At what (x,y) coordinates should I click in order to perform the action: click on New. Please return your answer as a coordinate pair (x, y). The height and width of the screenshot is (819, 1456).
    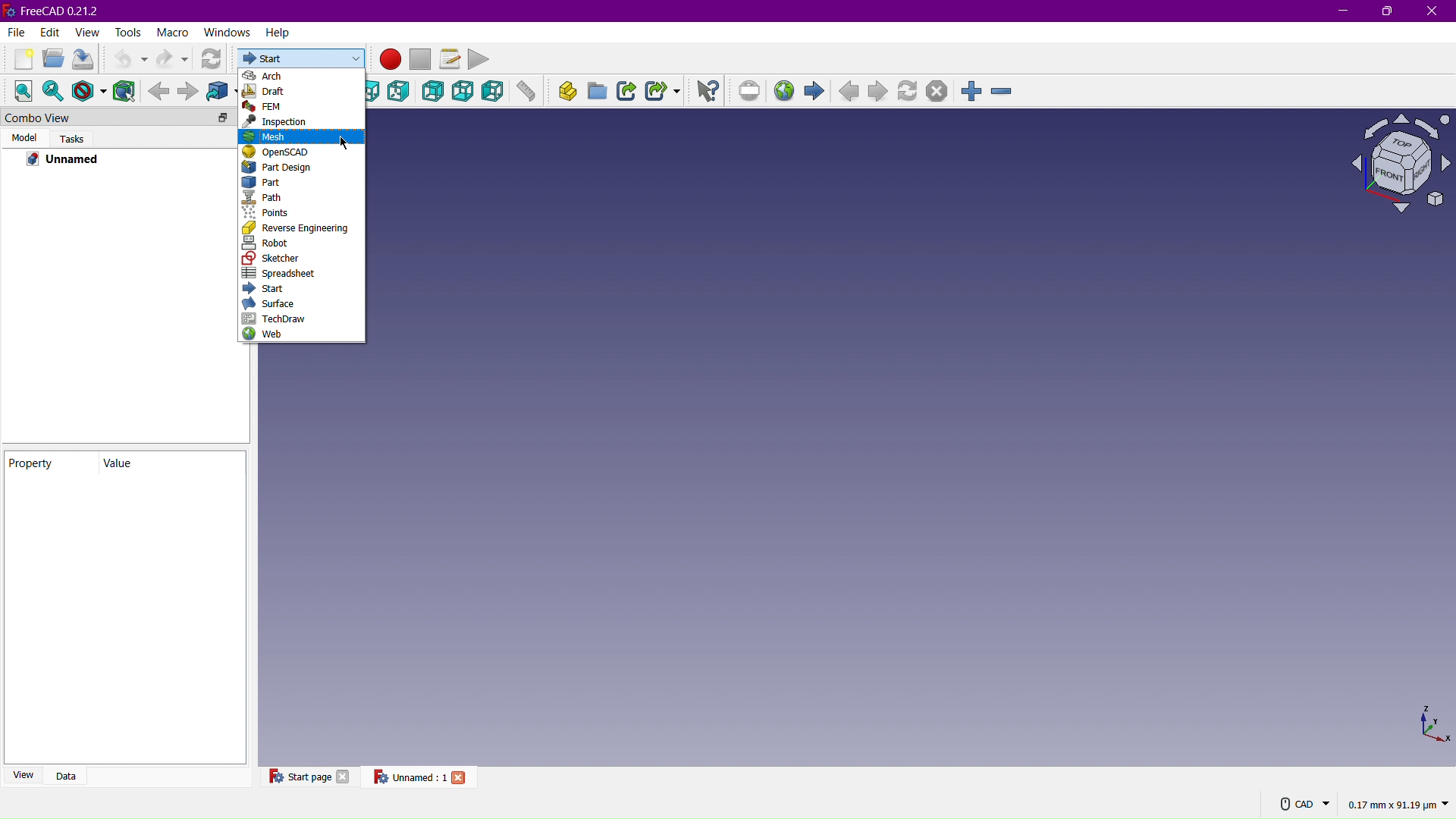
    Looking at the image, I should click on (17, 59).